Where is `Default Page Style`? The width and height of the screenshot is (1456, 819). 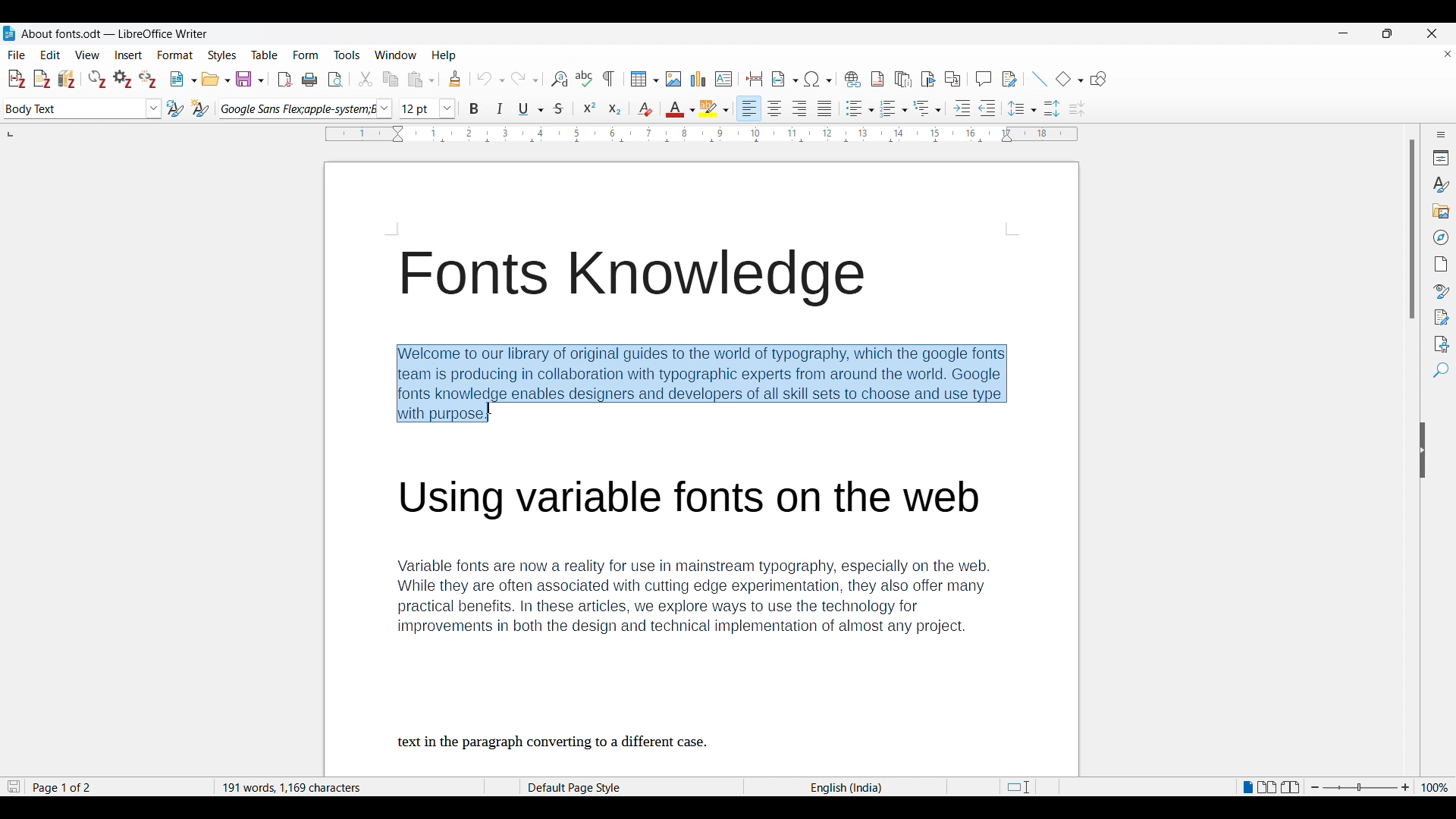 Default Page Style is located at coordinates (582, 785).